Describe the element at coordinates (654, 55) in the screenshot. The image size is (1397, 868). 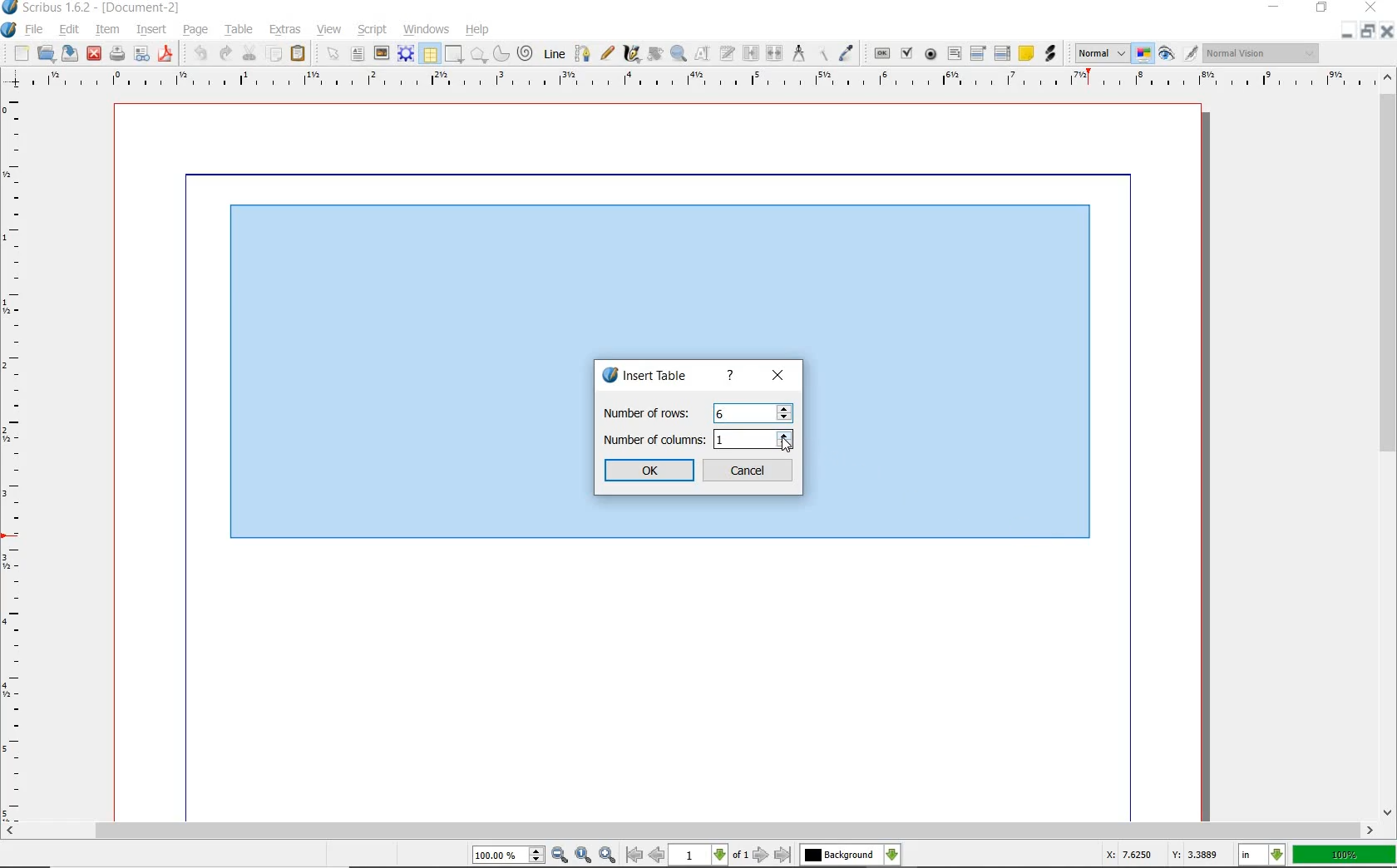
I see `rotate item` at that location.